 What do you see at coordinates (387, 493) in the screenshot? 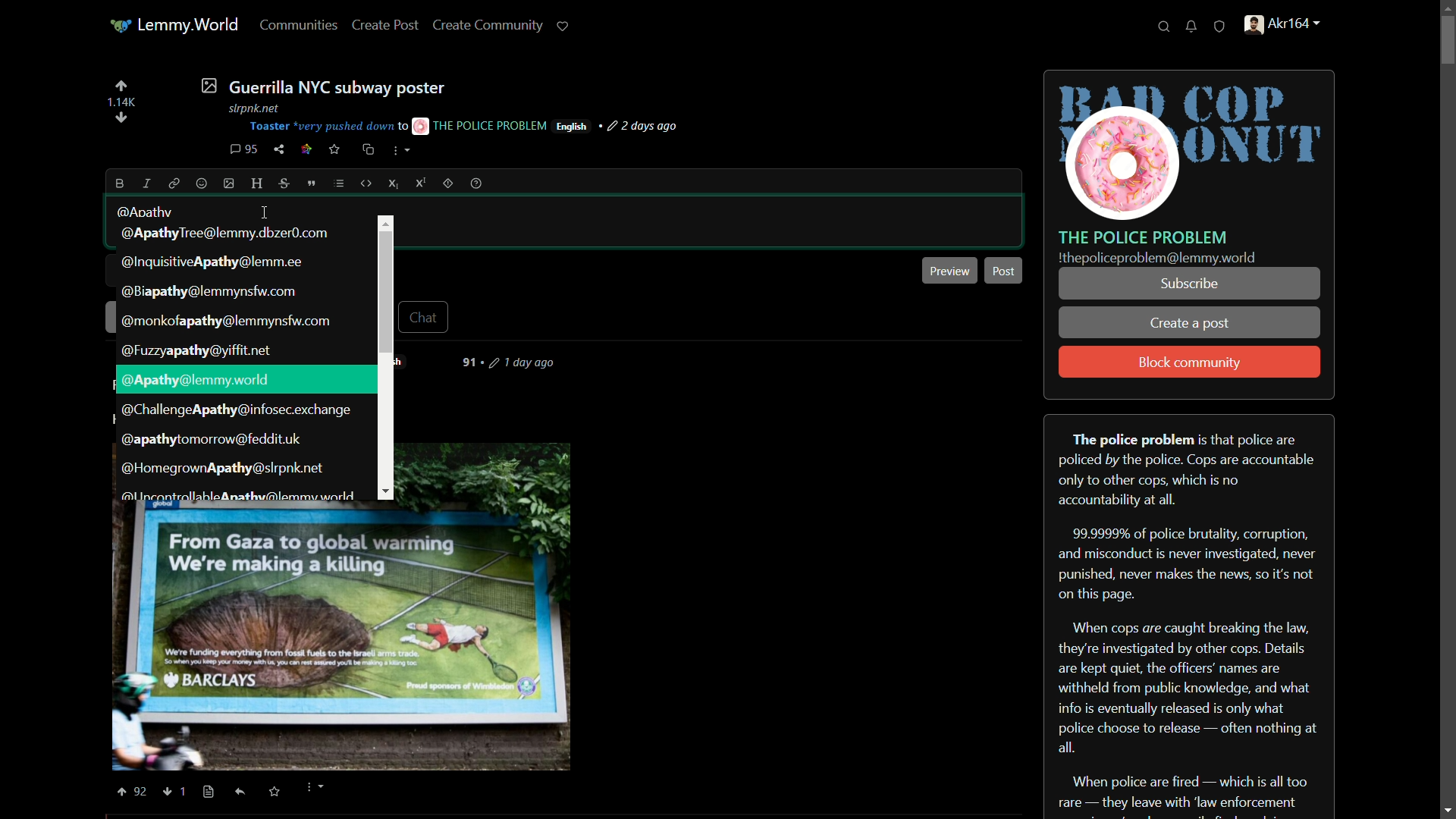
I see `` at bounding box center [387, 493].